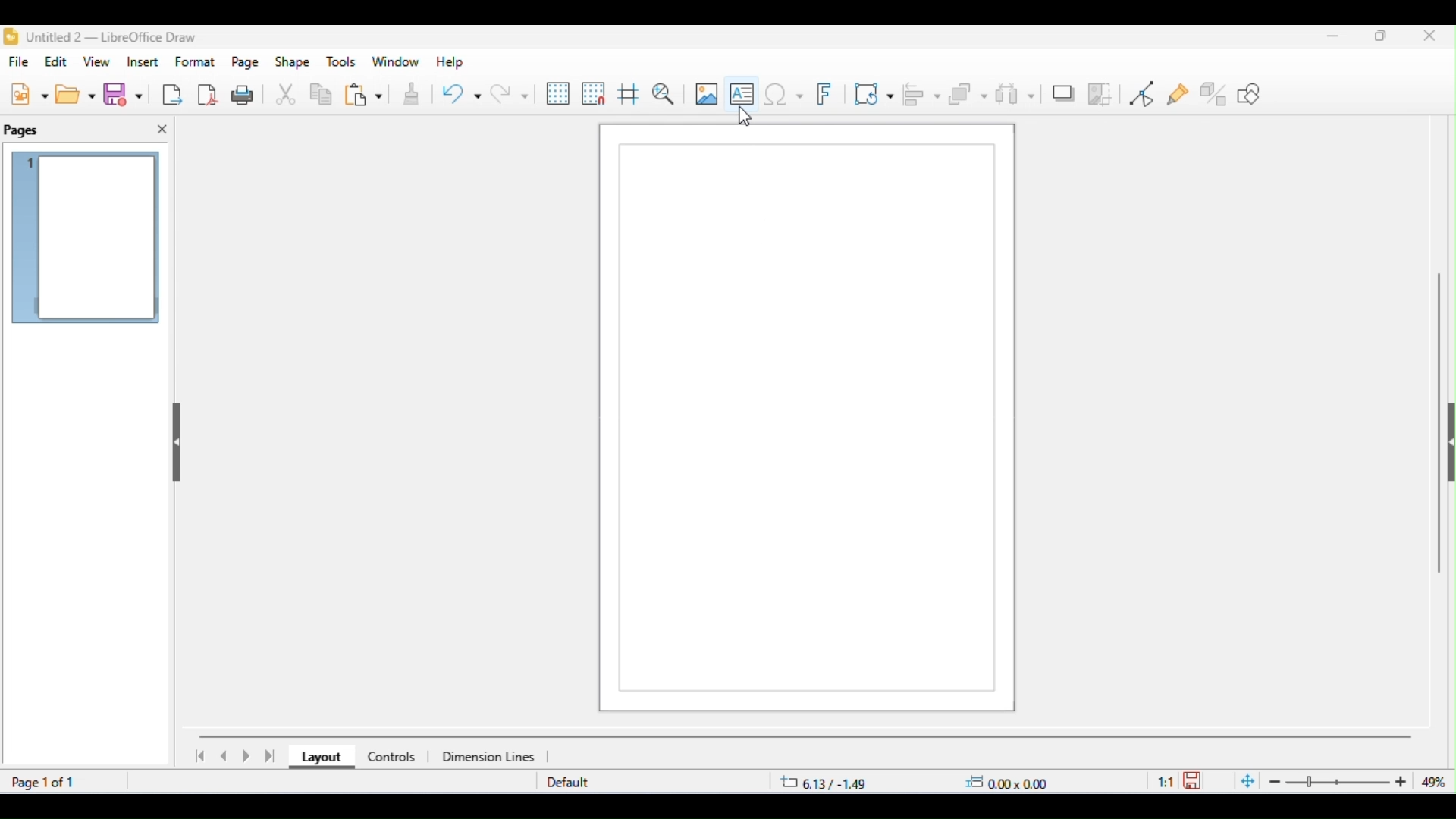  What do you see at coordinates (246, 63) in the screenshot?
I see `page` at bounding box center [246, 63].